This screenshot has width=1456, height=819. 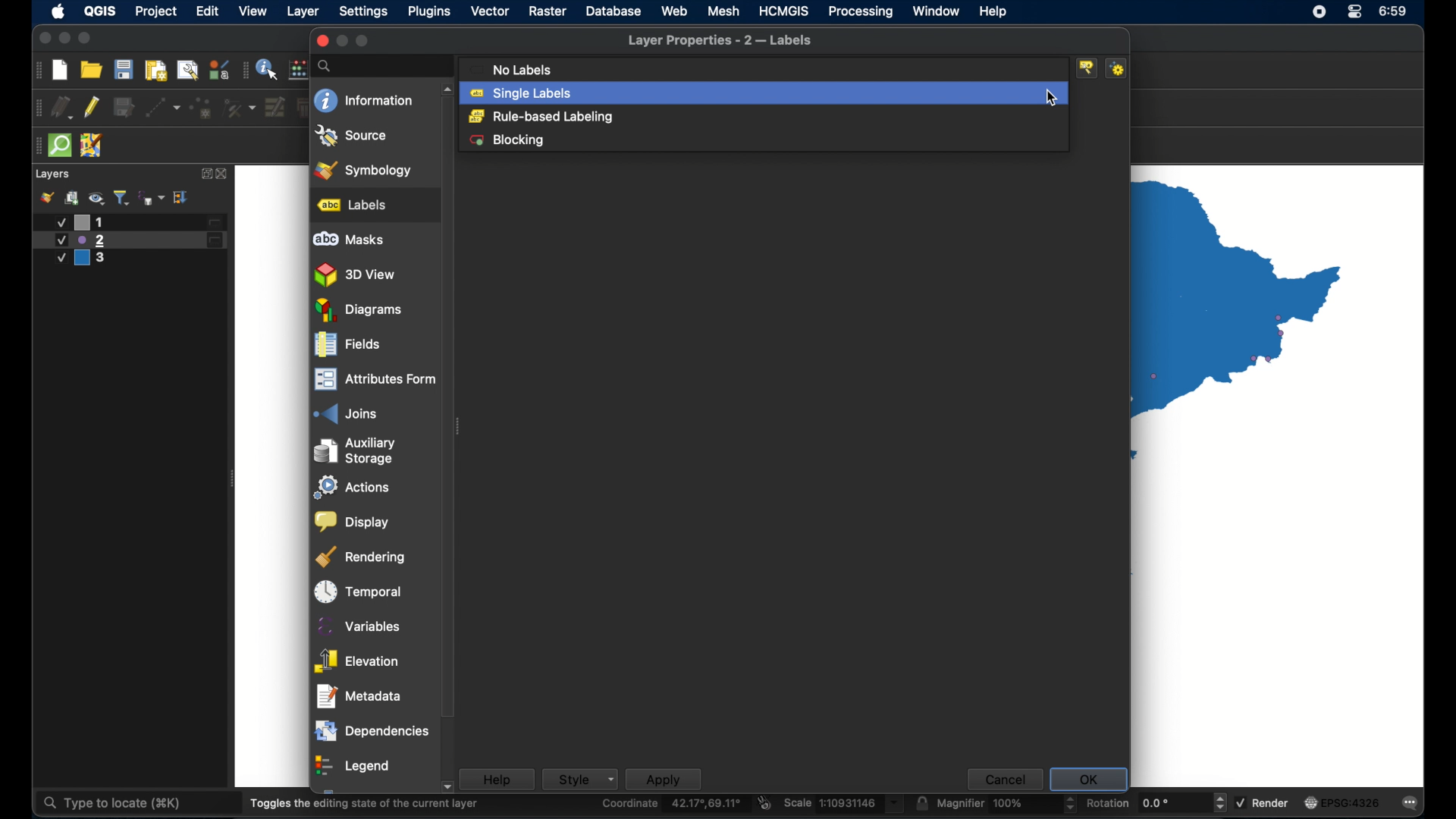 What do you see at coordinates (73, 197) in the screenshot?
I see `add group` at bounding box center [73, 197].